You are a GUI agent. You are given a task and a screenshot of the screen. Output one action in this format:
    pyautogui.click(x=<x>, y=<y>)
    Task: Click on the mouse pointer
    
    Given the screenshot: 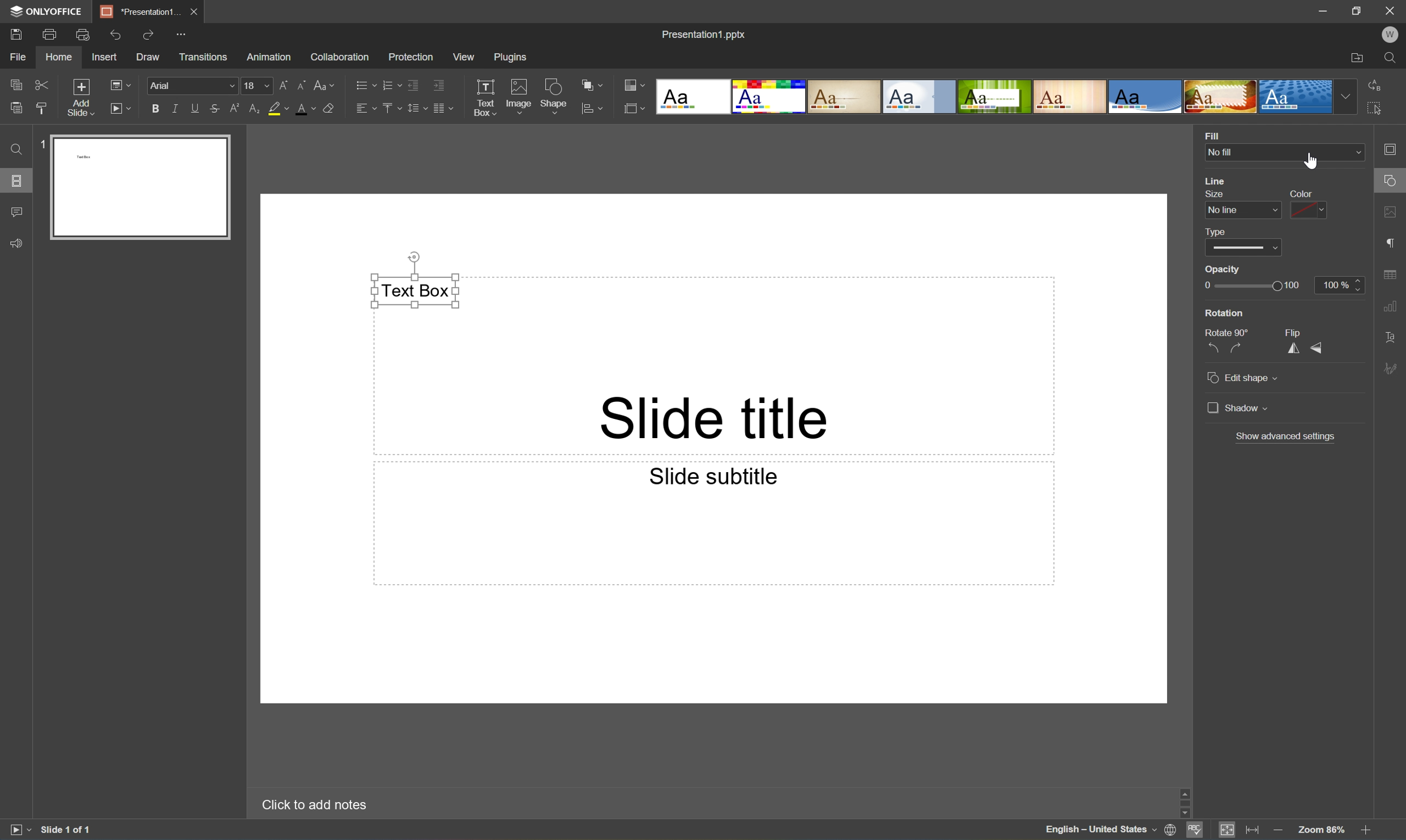 What is the action you would take?
    pyautogui.click(x=1312, y=162)
    